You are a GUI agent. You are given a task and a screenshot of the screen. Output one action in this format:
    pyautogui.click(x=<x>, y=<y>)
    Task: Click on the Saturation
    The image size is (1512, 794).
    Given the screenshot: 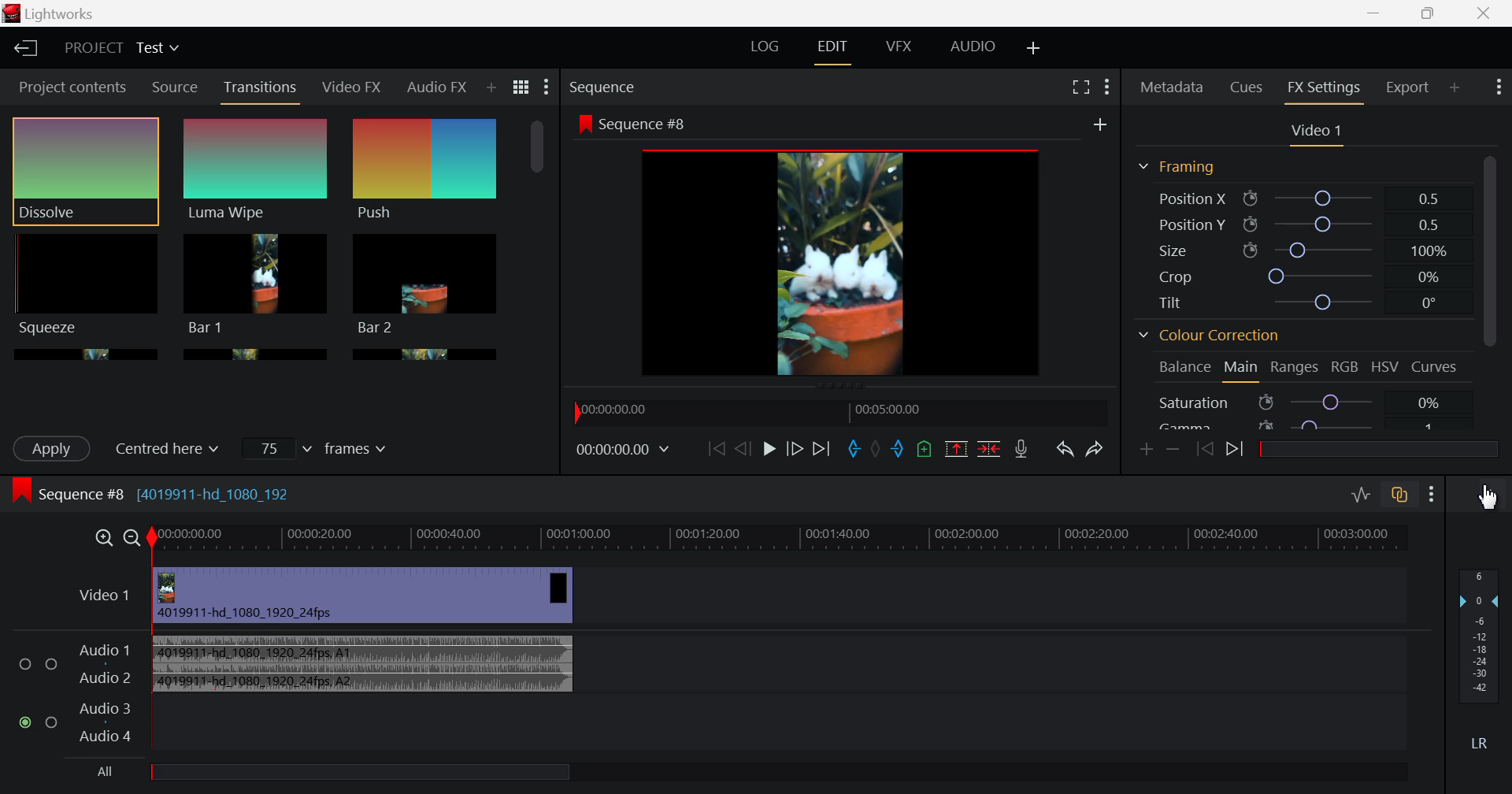 What is the action you would take?
    pyautogui.click(x=1303, y=402)
    